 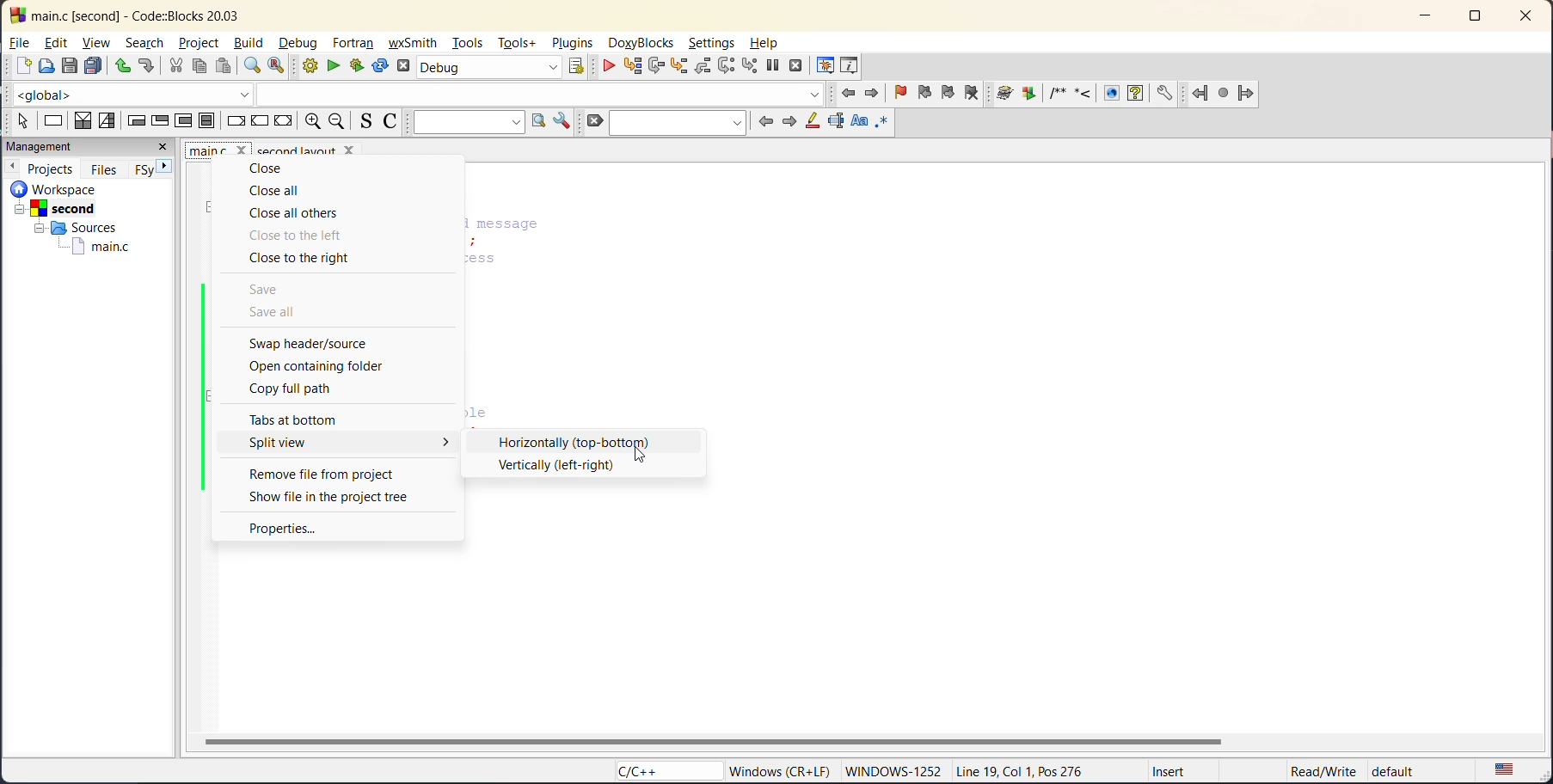 What do you see at coordinates (336, 121) in the screenshot?
I see `zoom out` at bounding box center [336, 121].